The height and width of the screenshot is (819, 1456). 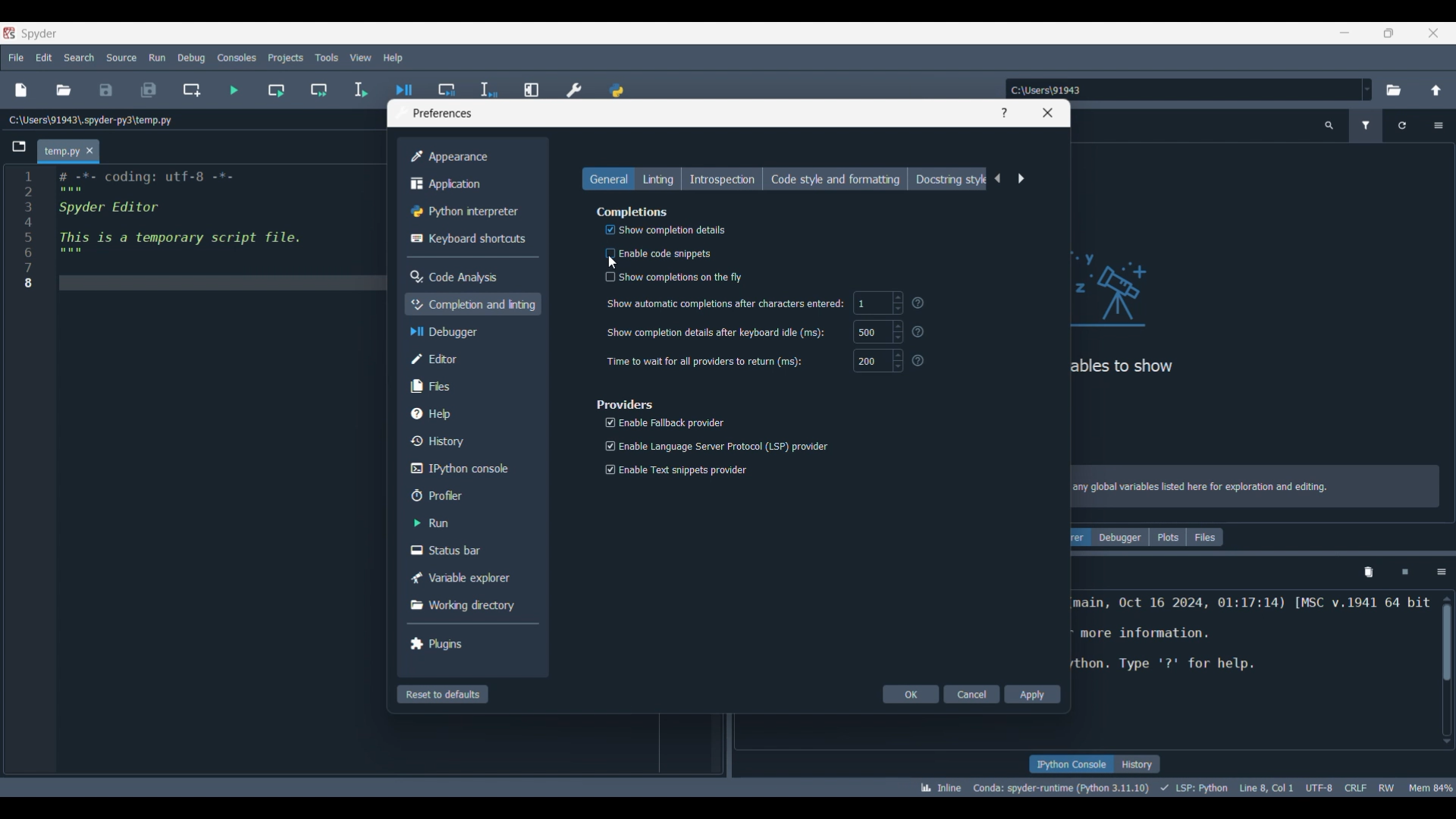 I want to click on History, so click(x=471, y=441).